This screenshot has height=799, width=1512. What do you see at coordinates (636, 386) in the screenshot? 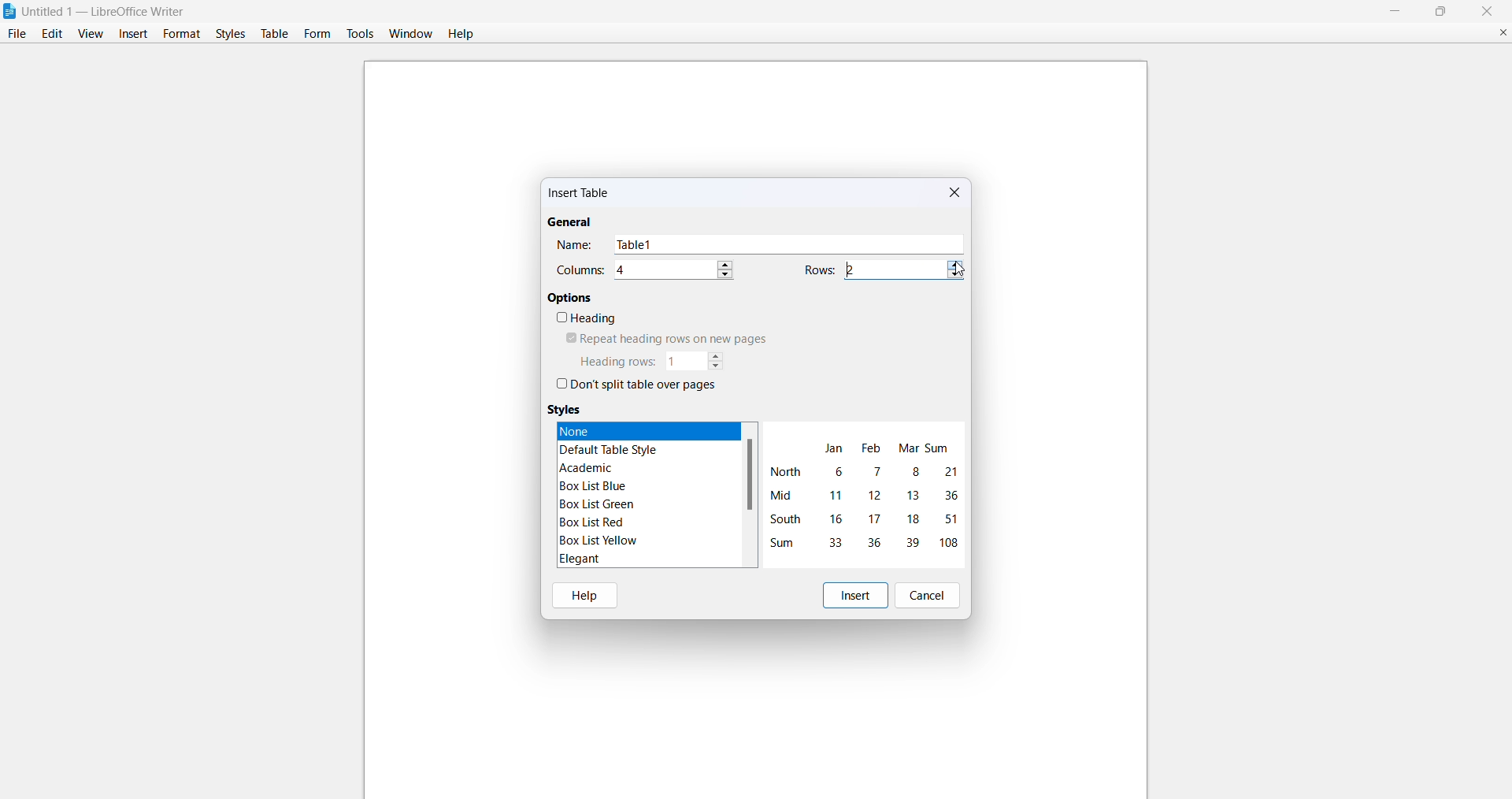
I see `dont split table over pages` at bounding box center [636, 386].